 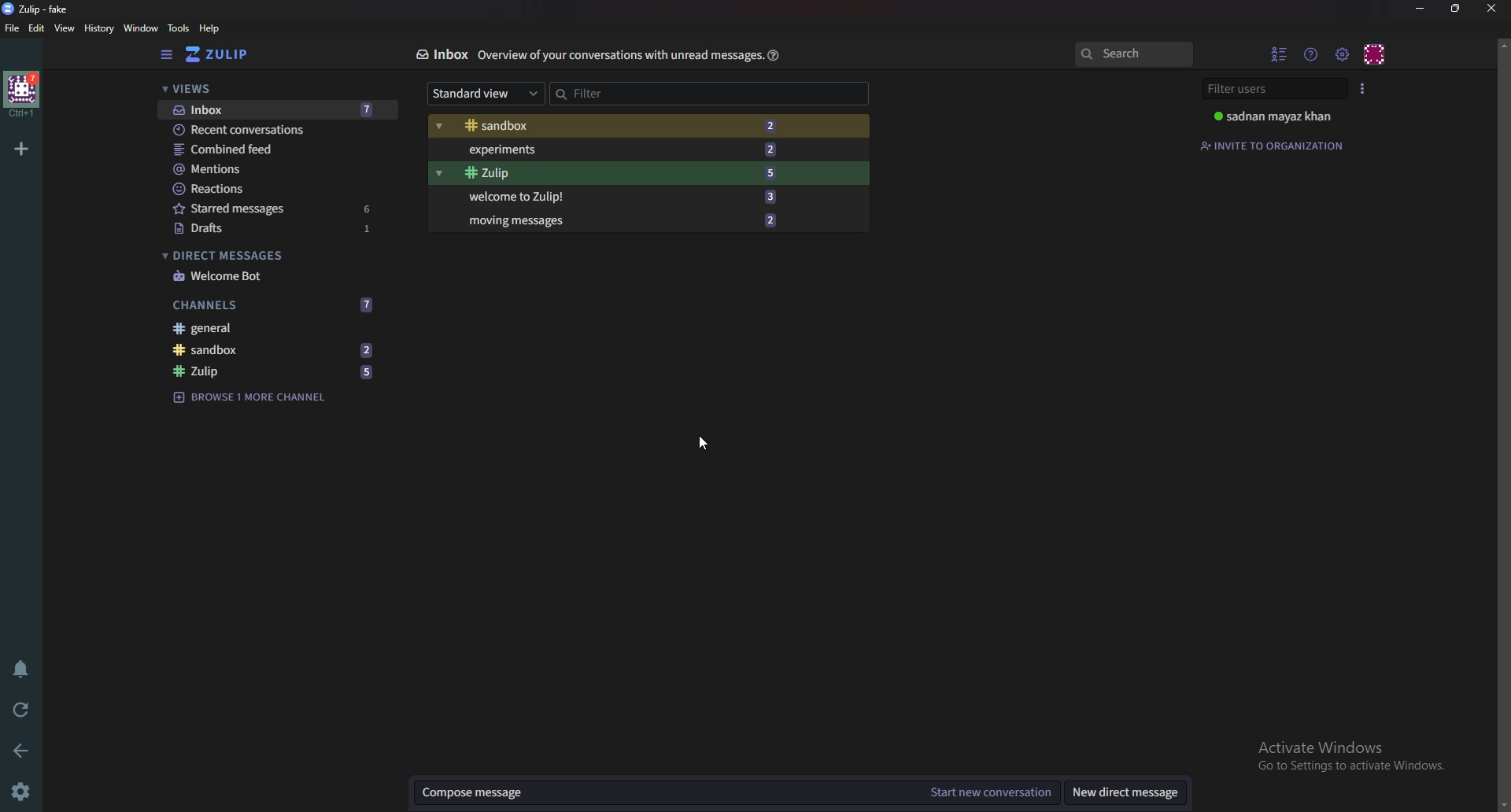 I want to click on Reactions, so click(x=272, y=189).